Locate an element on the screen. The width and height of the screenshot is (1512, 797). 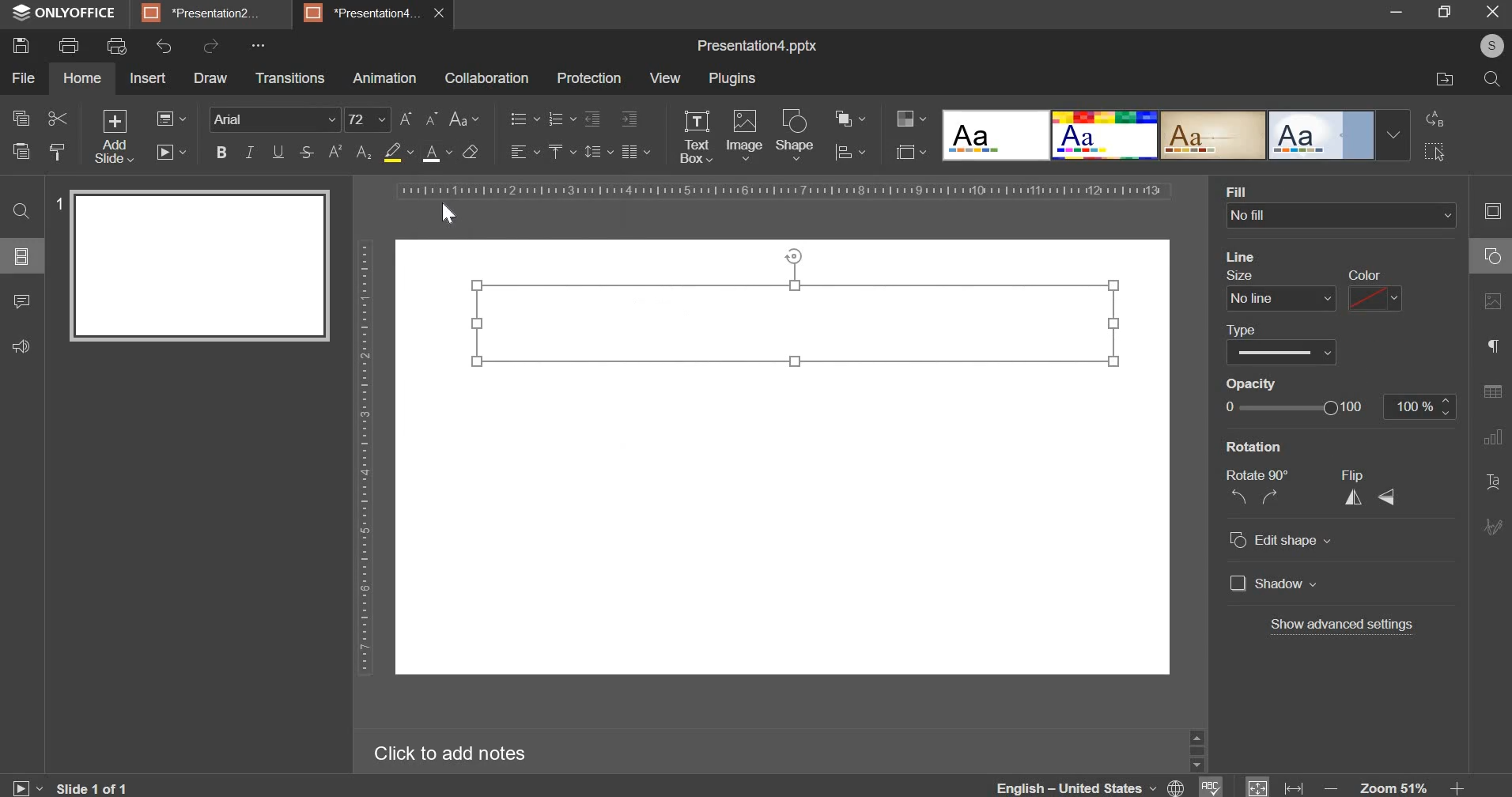
Restore down is located at coordinates (1397, 12).